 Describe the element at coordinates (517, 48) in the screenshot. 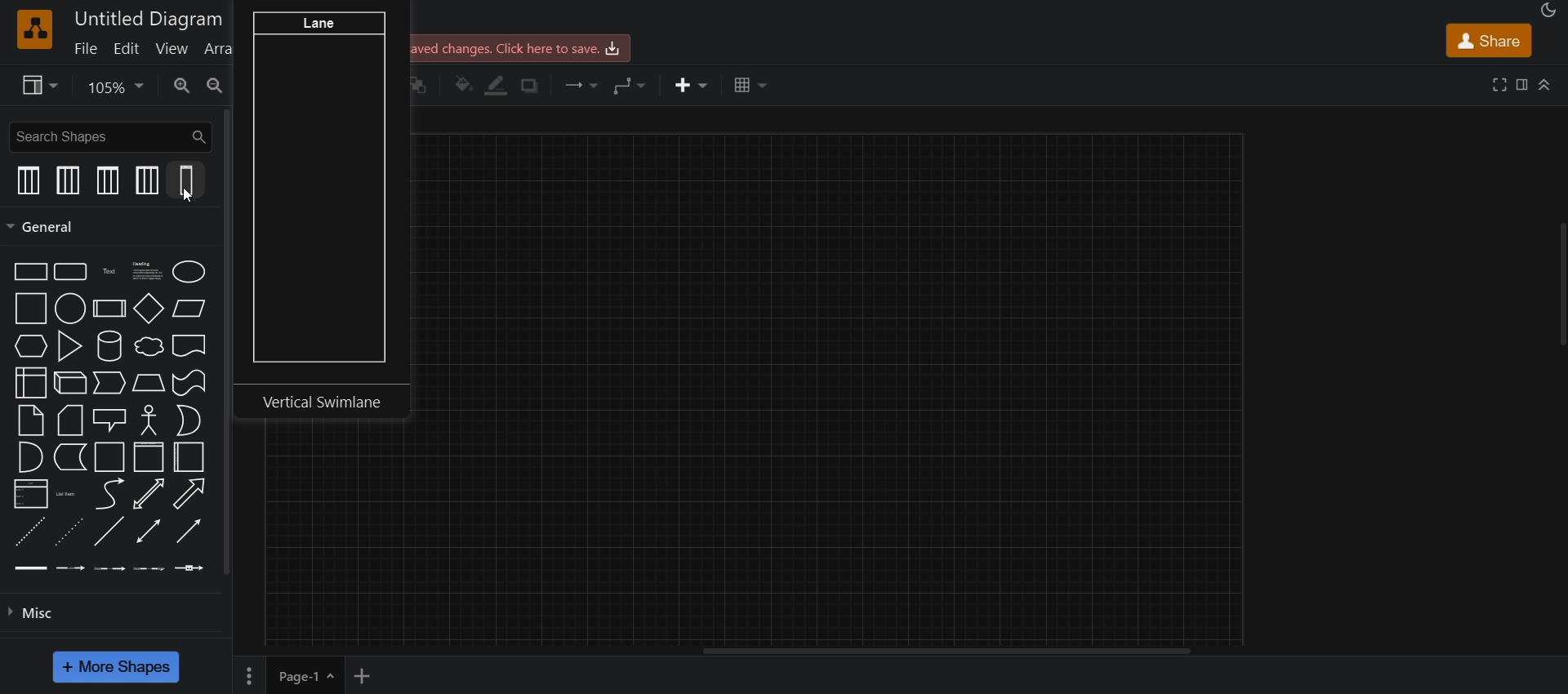

I see `click here to save` at that location.